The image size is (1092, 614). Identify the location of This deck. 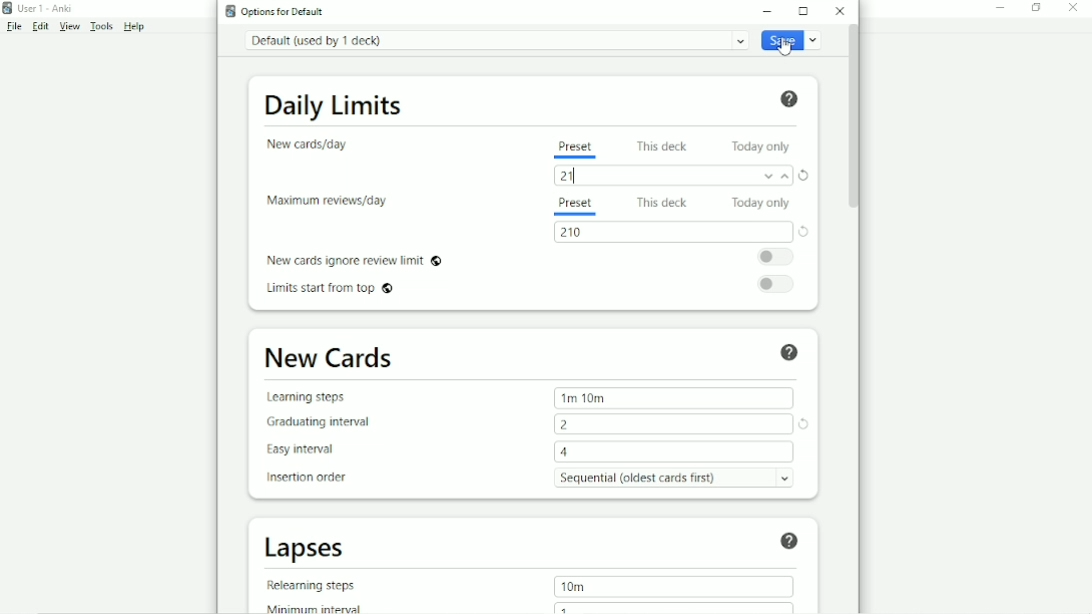
(665, 146).